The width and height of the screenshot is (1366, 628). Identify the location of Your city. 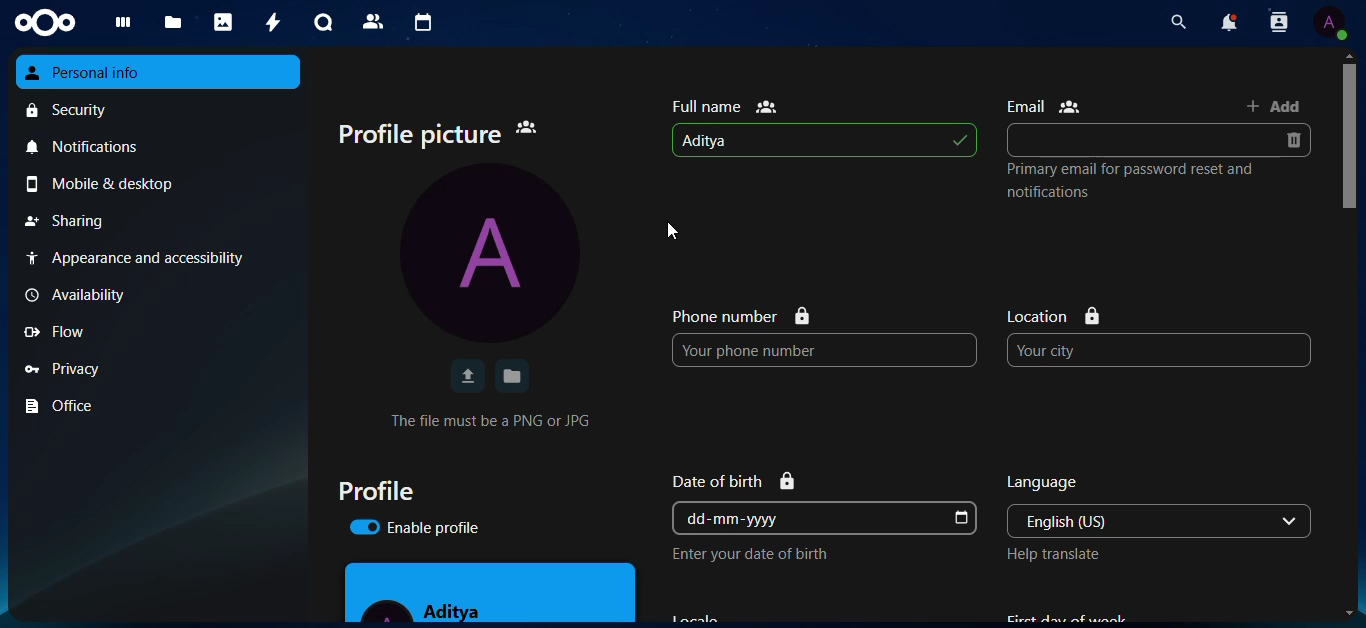
(1159, 350).